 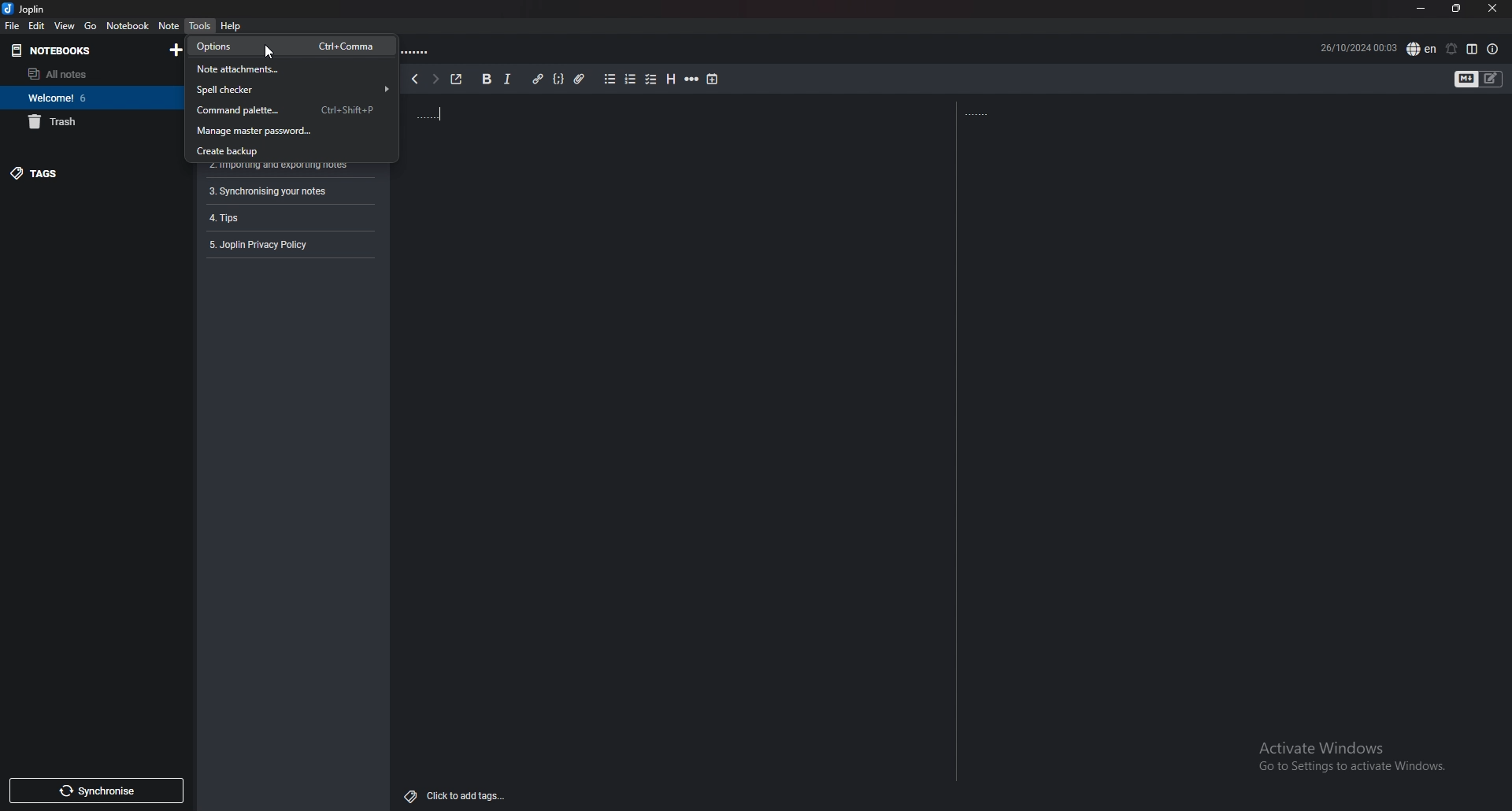 I want to click on Spell checker, so click(x=291, y=89).